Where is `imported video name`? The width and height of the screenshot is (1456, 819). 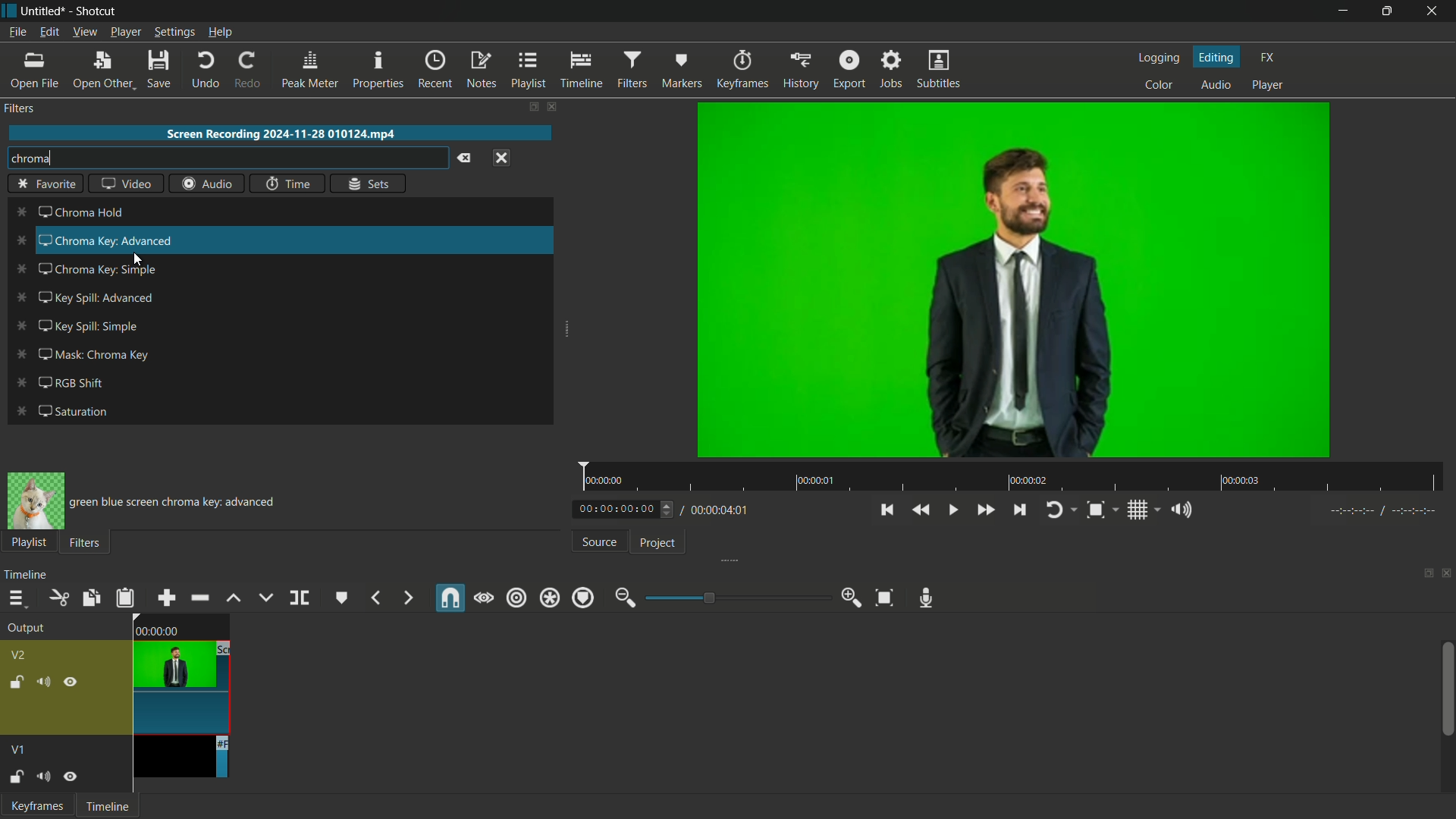
imported video name is located at coordinates (281, 134).